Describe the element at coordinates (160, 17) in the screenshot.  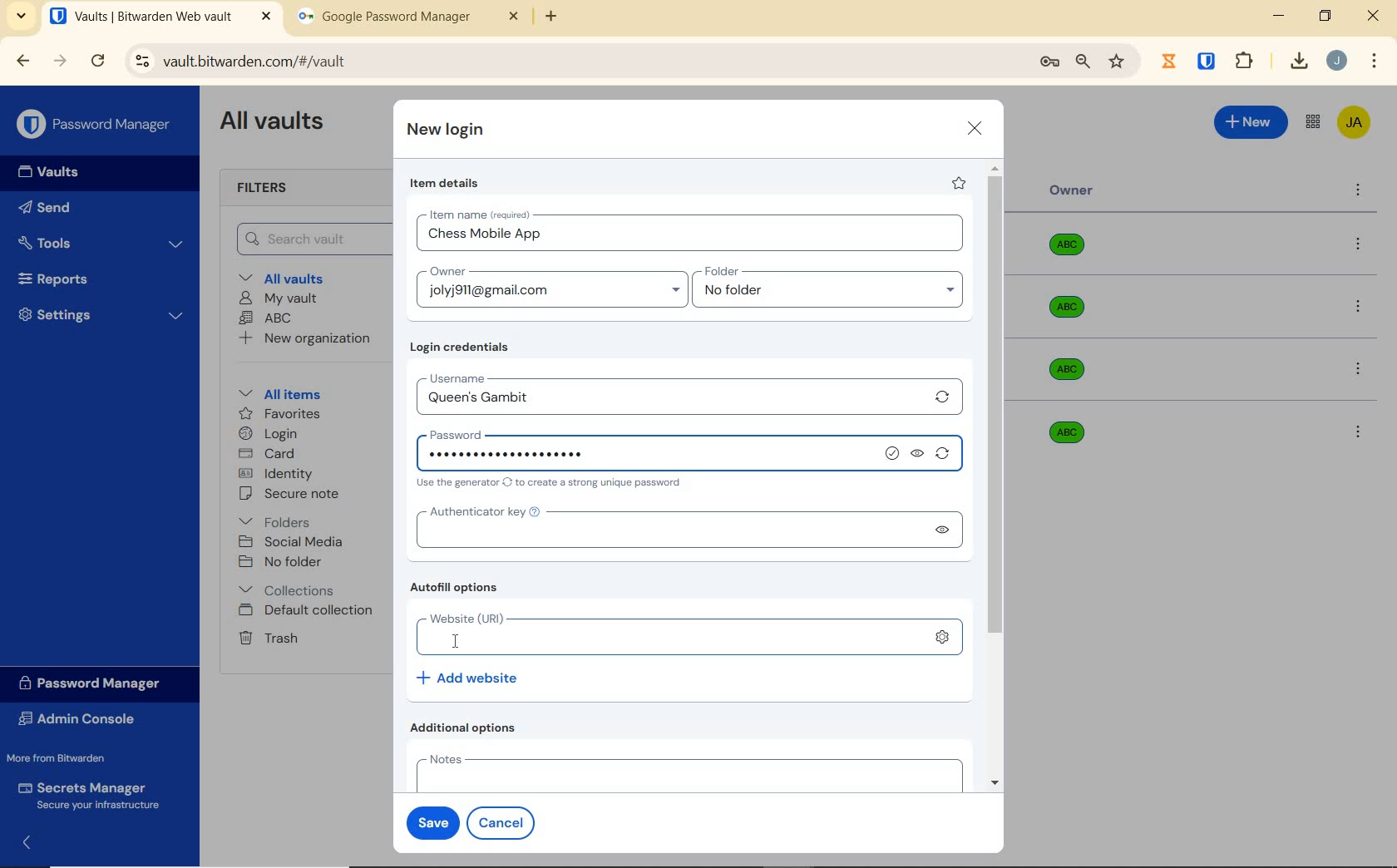
I see `open tab` at that location.